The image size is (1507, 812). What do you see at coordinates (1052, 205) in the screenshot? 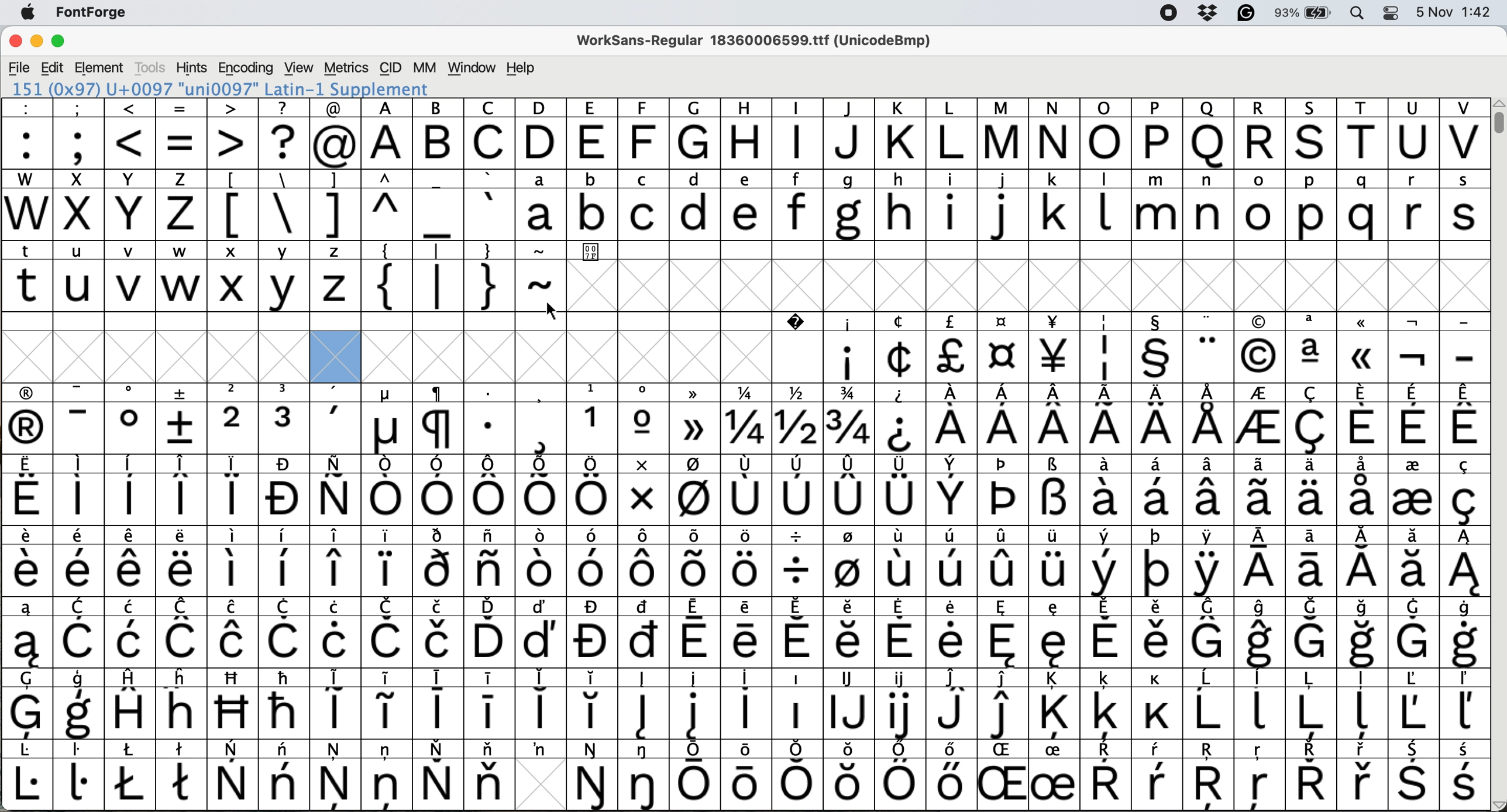
I see `k` at bounding box center [1052, 205].